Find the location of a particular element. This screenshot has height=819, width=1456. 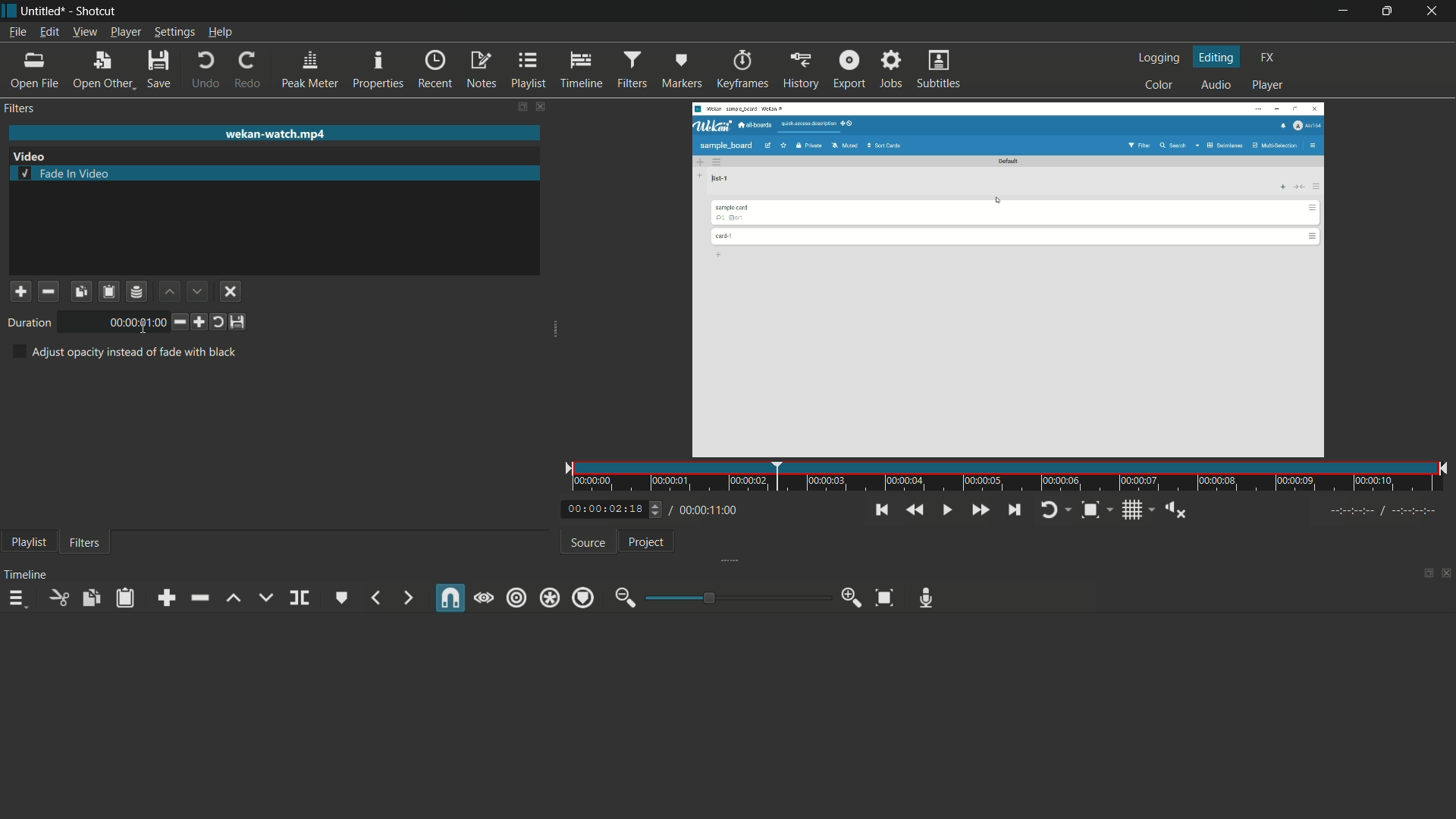

restore to default is located at coordinates (218, 322).